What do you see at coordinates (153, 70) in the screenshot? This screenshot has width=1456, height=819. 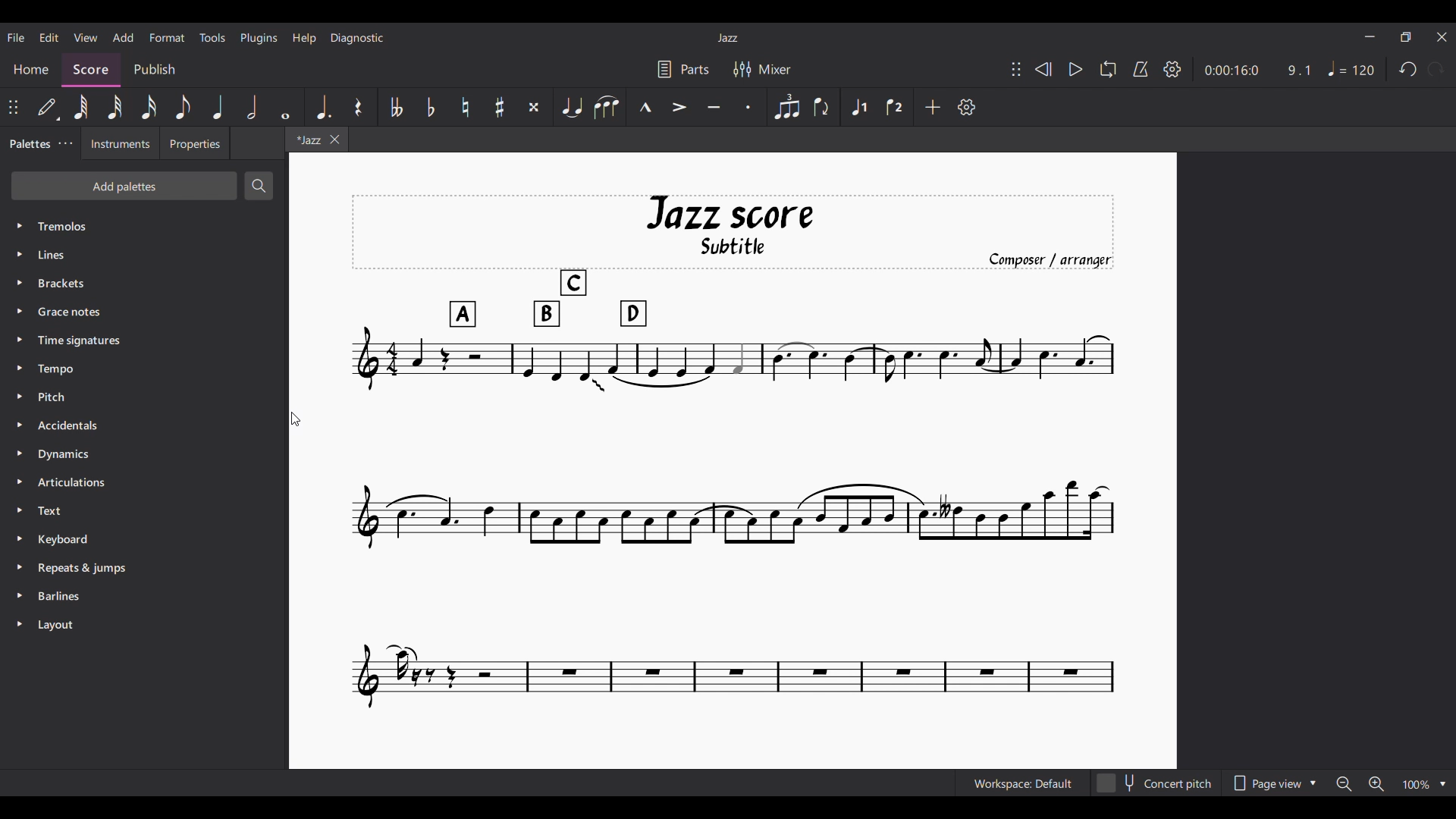 I see `Publish section` at bounding box center [153, 70].